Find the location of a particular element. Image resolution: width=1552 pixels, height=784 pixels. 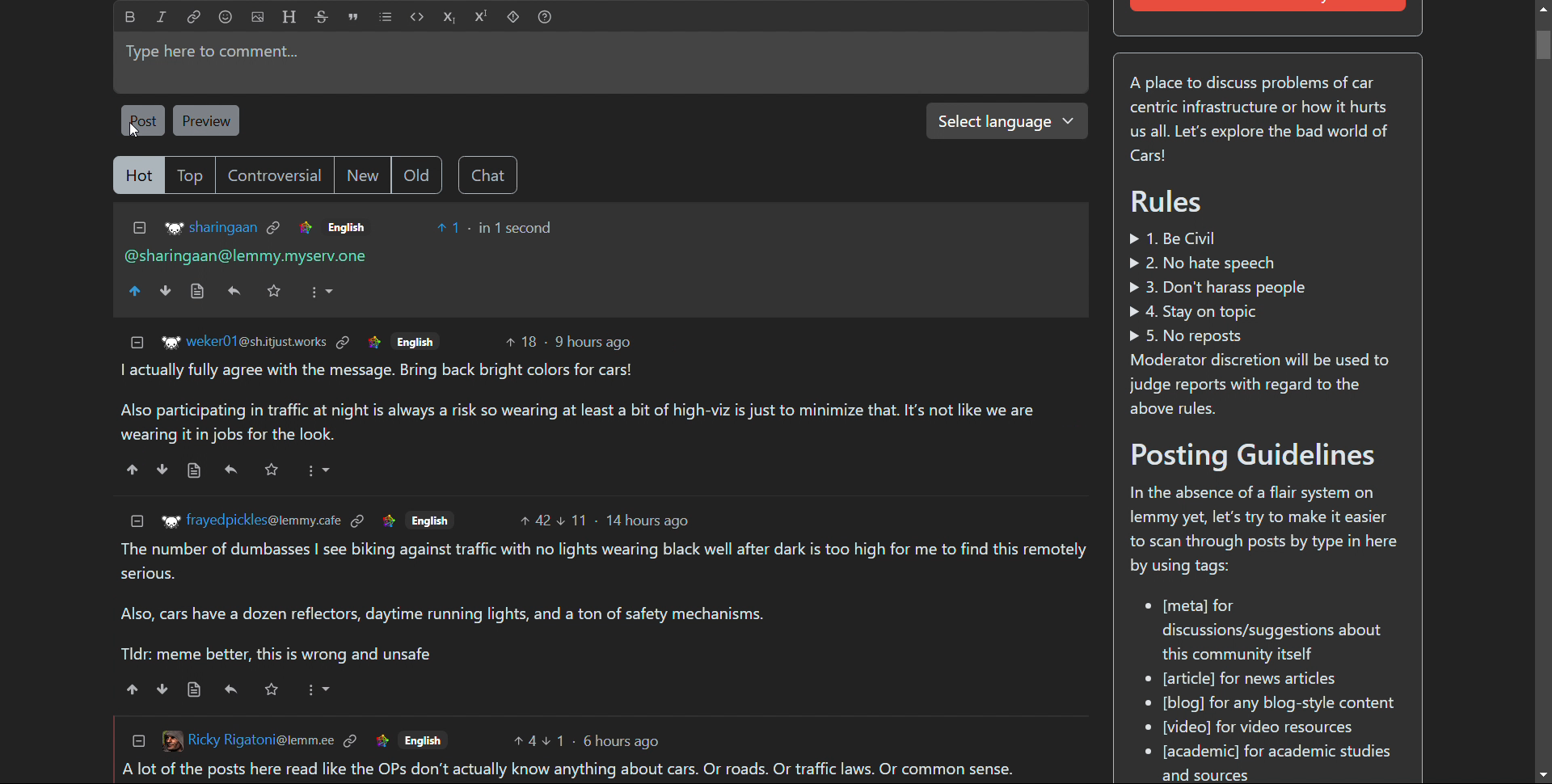

14 hours ago is located at coordinates (652, 520).